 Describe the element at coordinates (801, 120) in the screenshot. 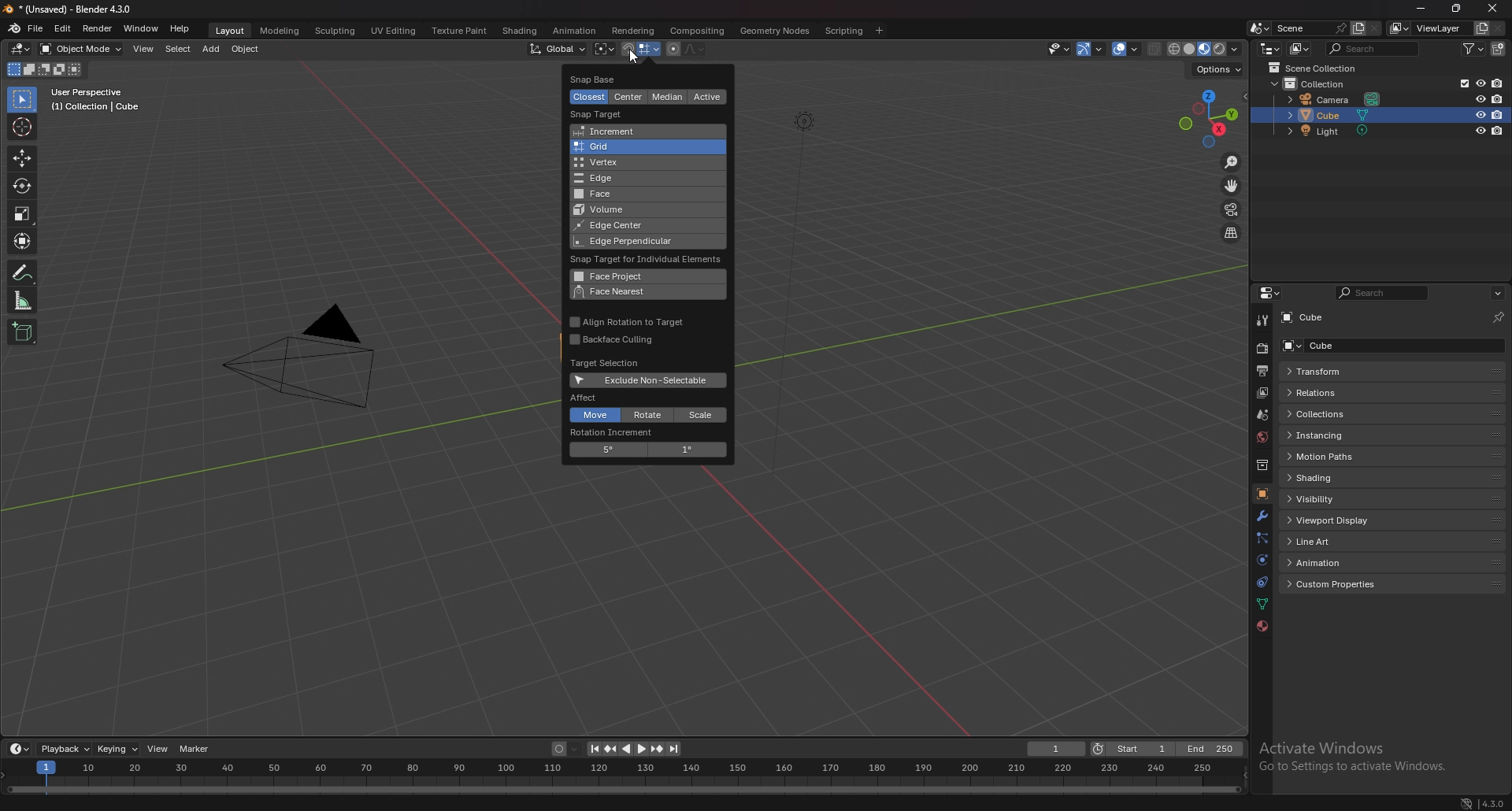

I see `lighting` at that location.